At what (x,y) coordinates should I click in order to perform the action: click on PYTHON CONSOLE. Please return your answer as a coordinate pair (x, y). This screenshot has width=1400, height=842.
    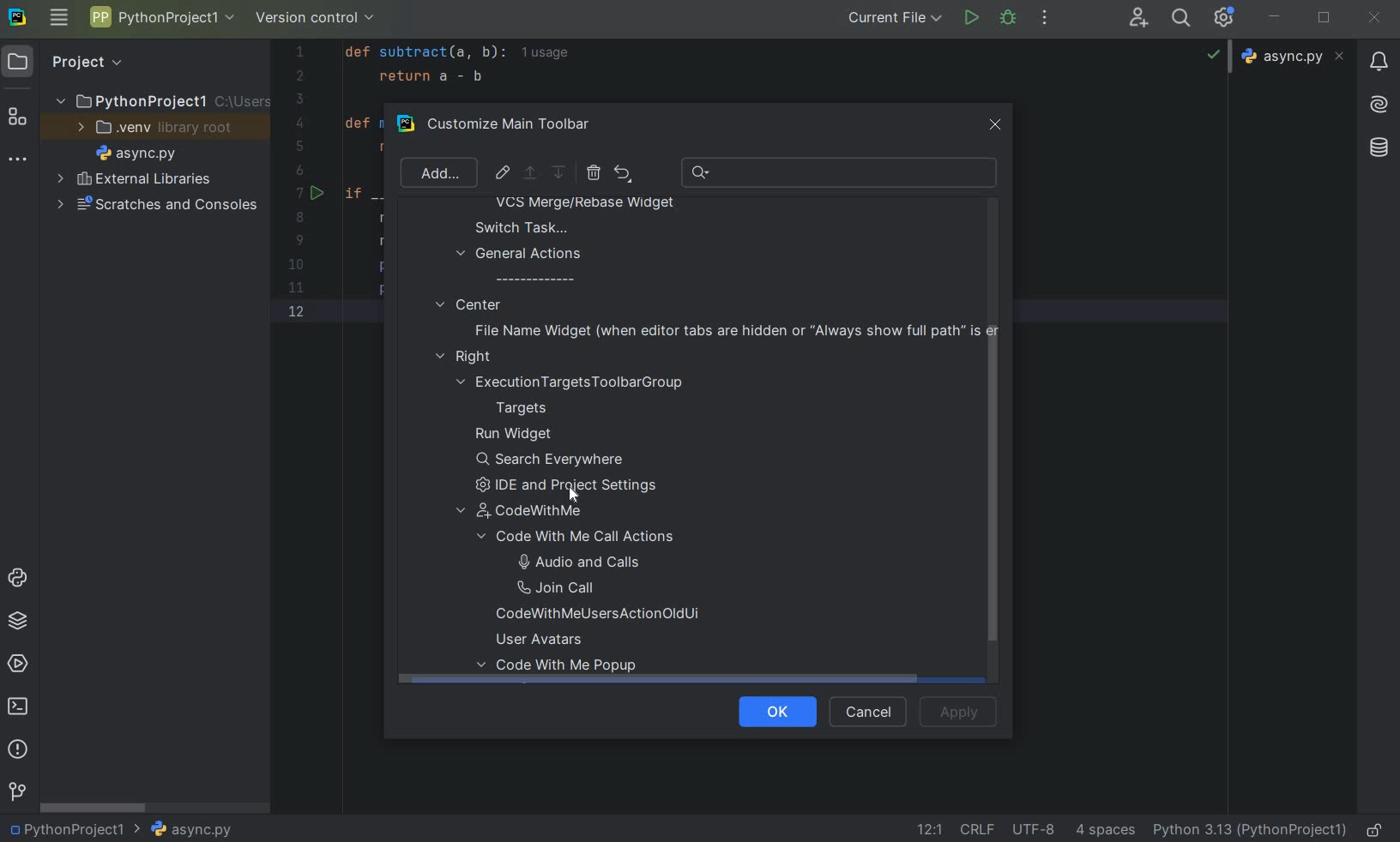
    Looking at the image, I should click on (20, 581).